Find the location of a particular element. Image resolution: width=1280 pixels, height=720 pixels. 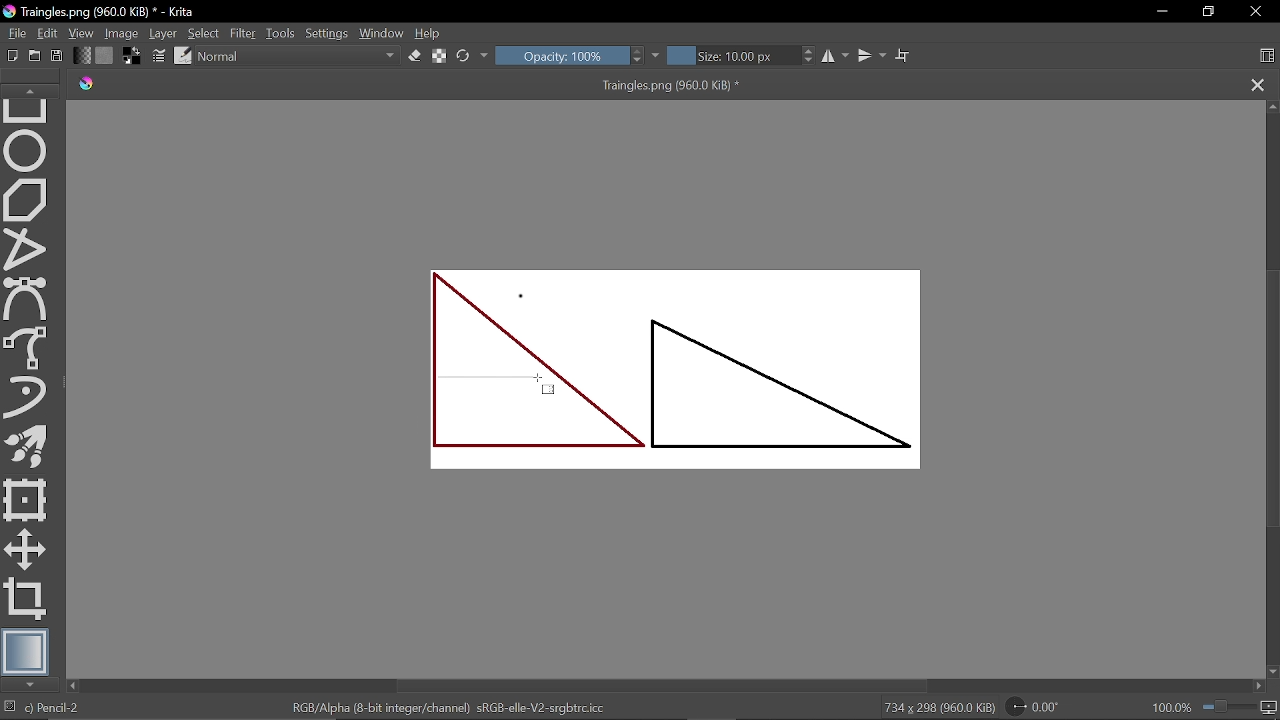

Layer is located at coordinates (162, 32).